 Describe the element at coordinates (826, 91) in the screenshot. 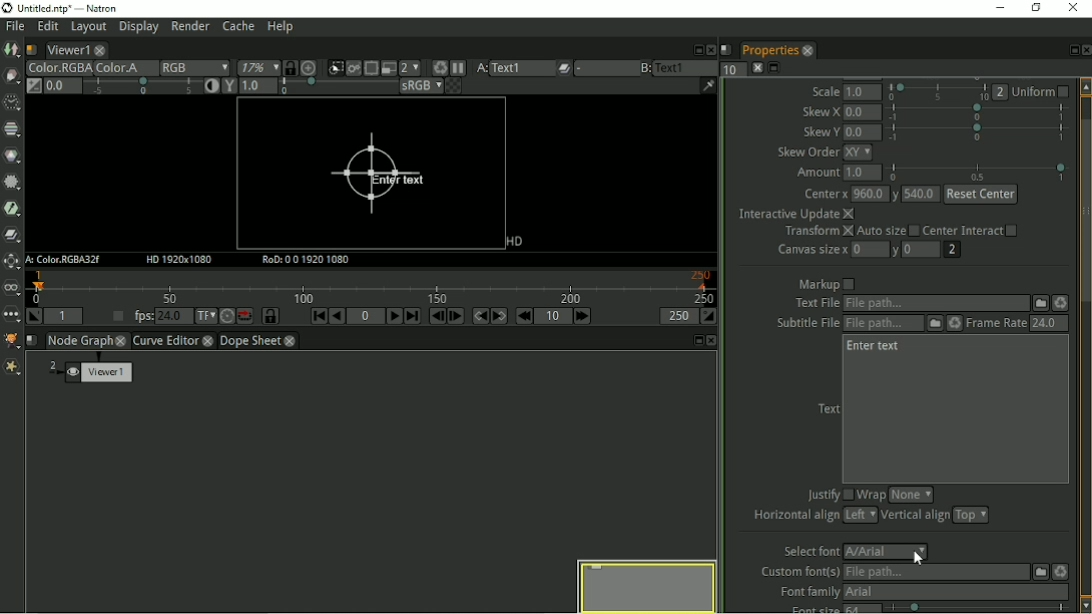

I see `Scale` at that location.